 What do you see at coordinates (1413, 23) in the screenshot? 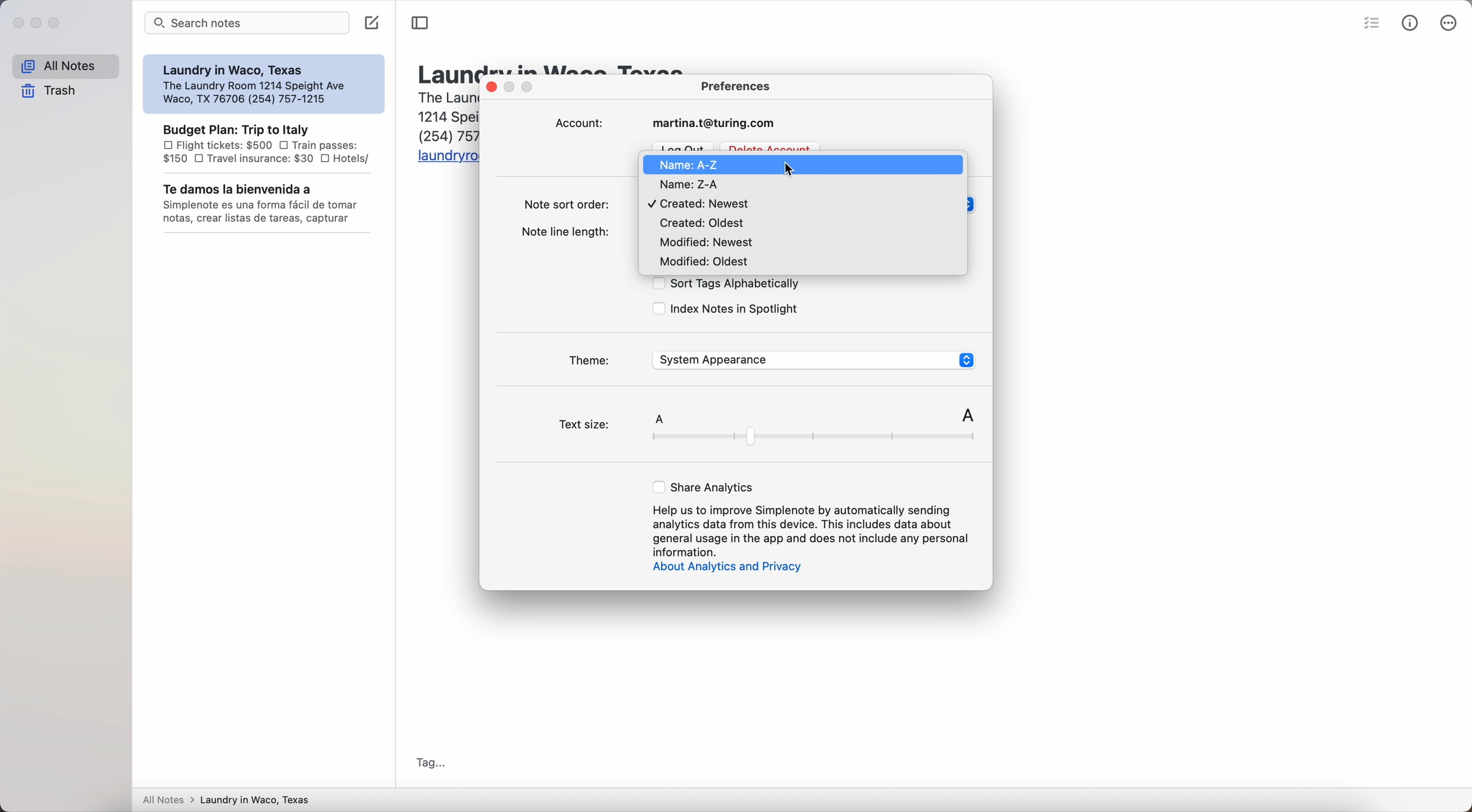
I see `metrics` at bounding box center [1413, 23].